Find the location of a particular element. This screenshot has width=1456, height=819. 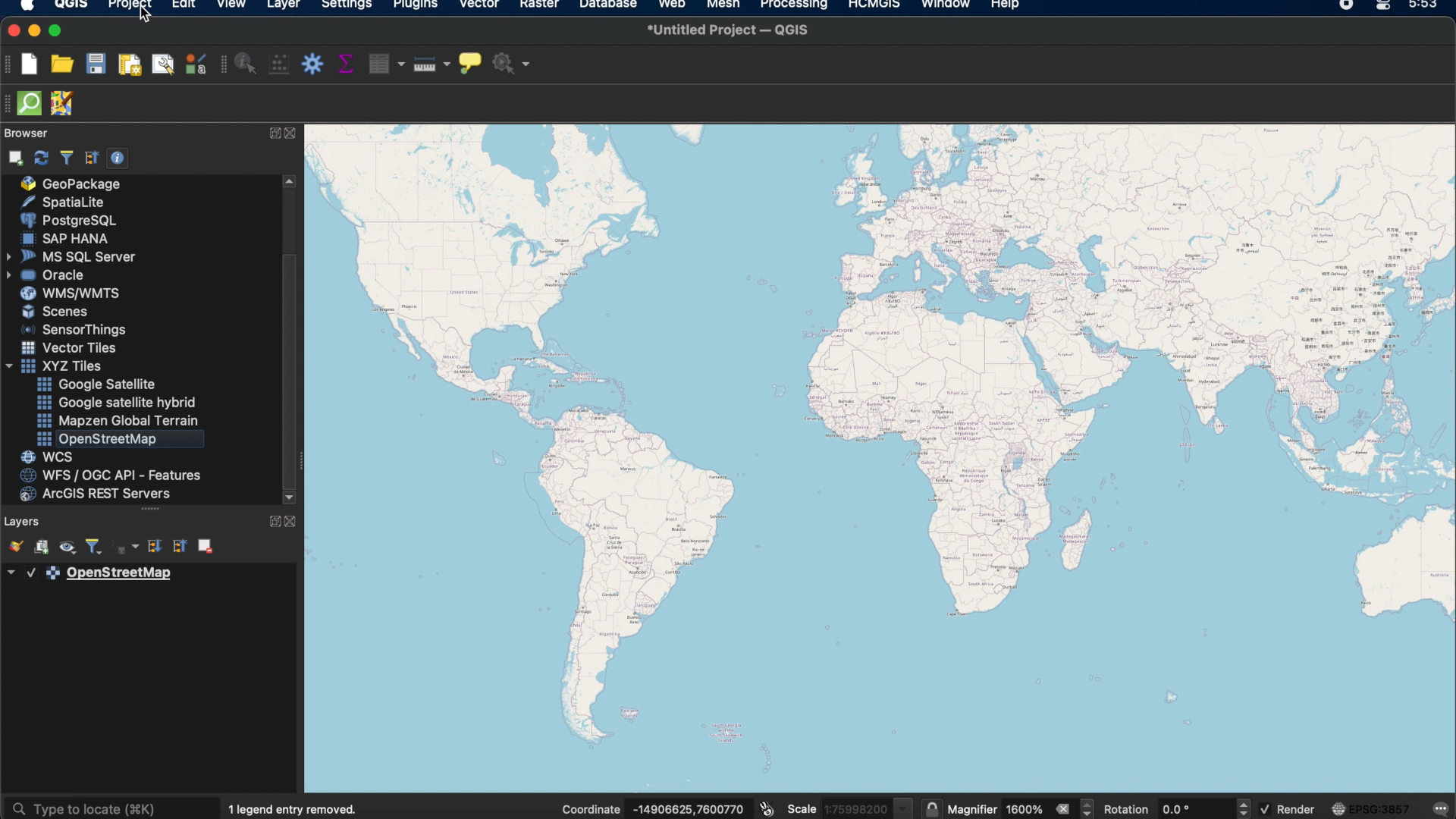

show layout manager is located at coordinates (162, 64).